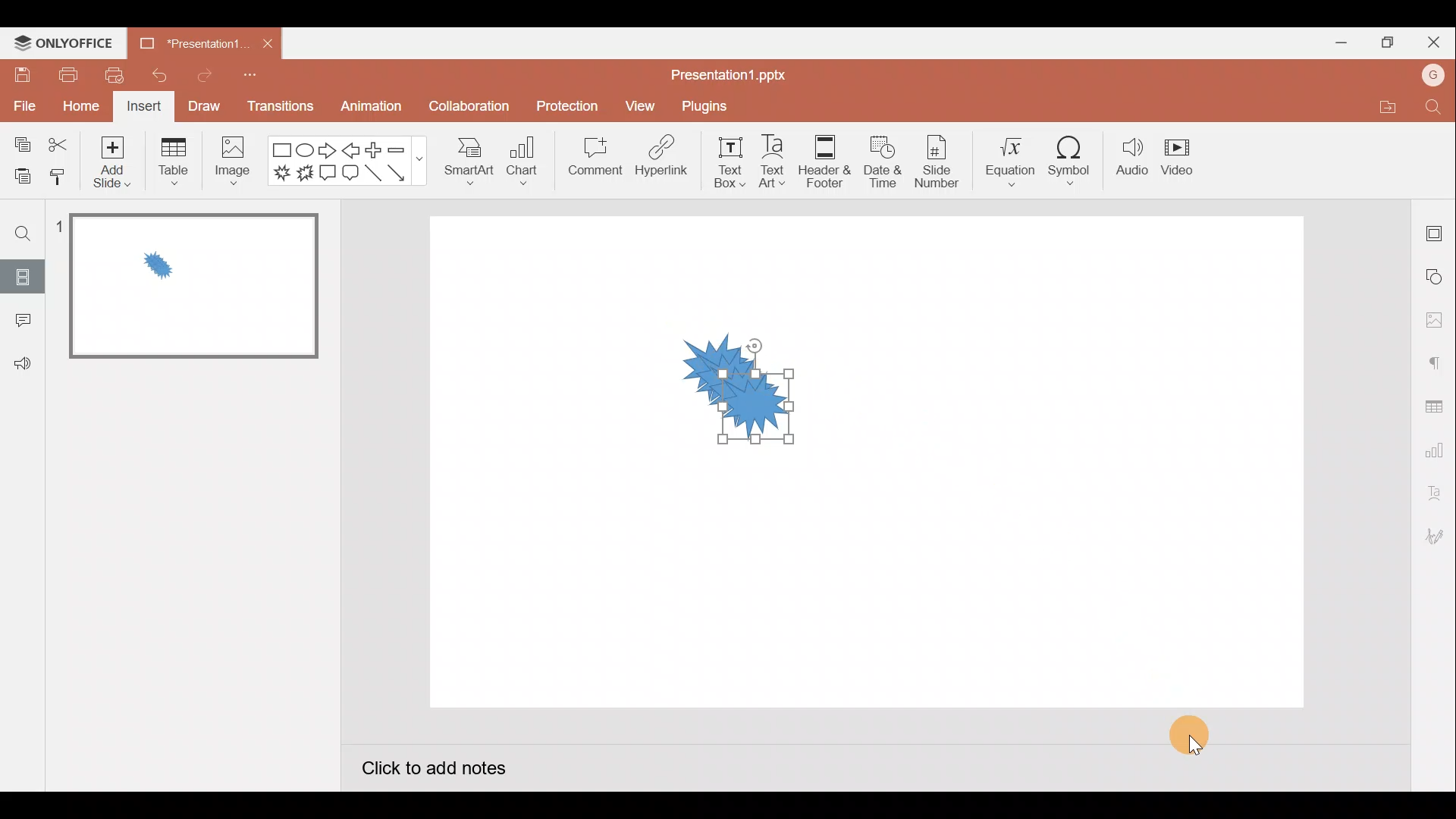 The image size is (1456, 819). What do you see at coordinates (21, 234) in the screenshot?
I see `Find` at bounding box center [21, 234].